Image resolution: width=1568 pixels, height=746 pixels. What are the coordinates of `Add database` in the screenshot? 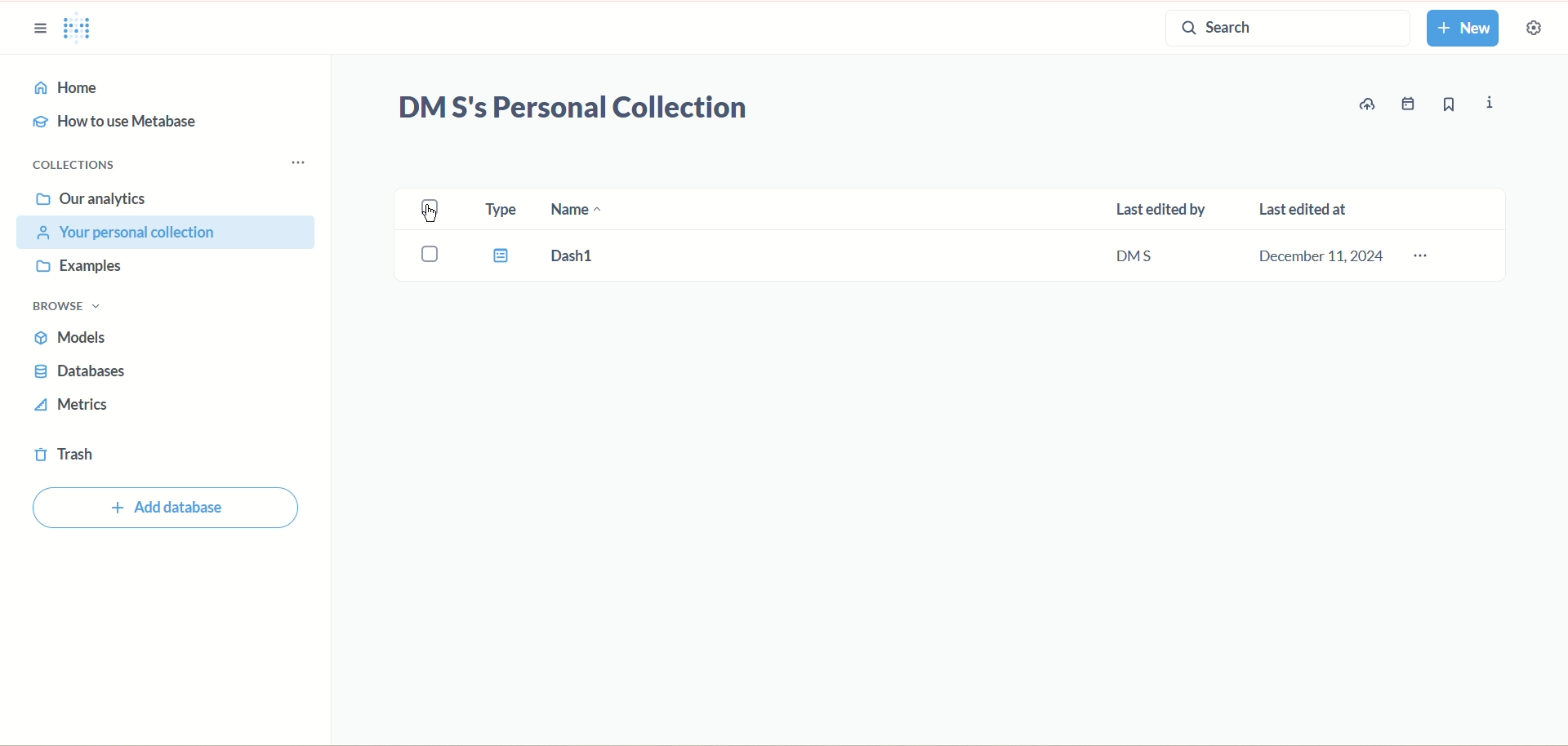 It's located at (164, 510).